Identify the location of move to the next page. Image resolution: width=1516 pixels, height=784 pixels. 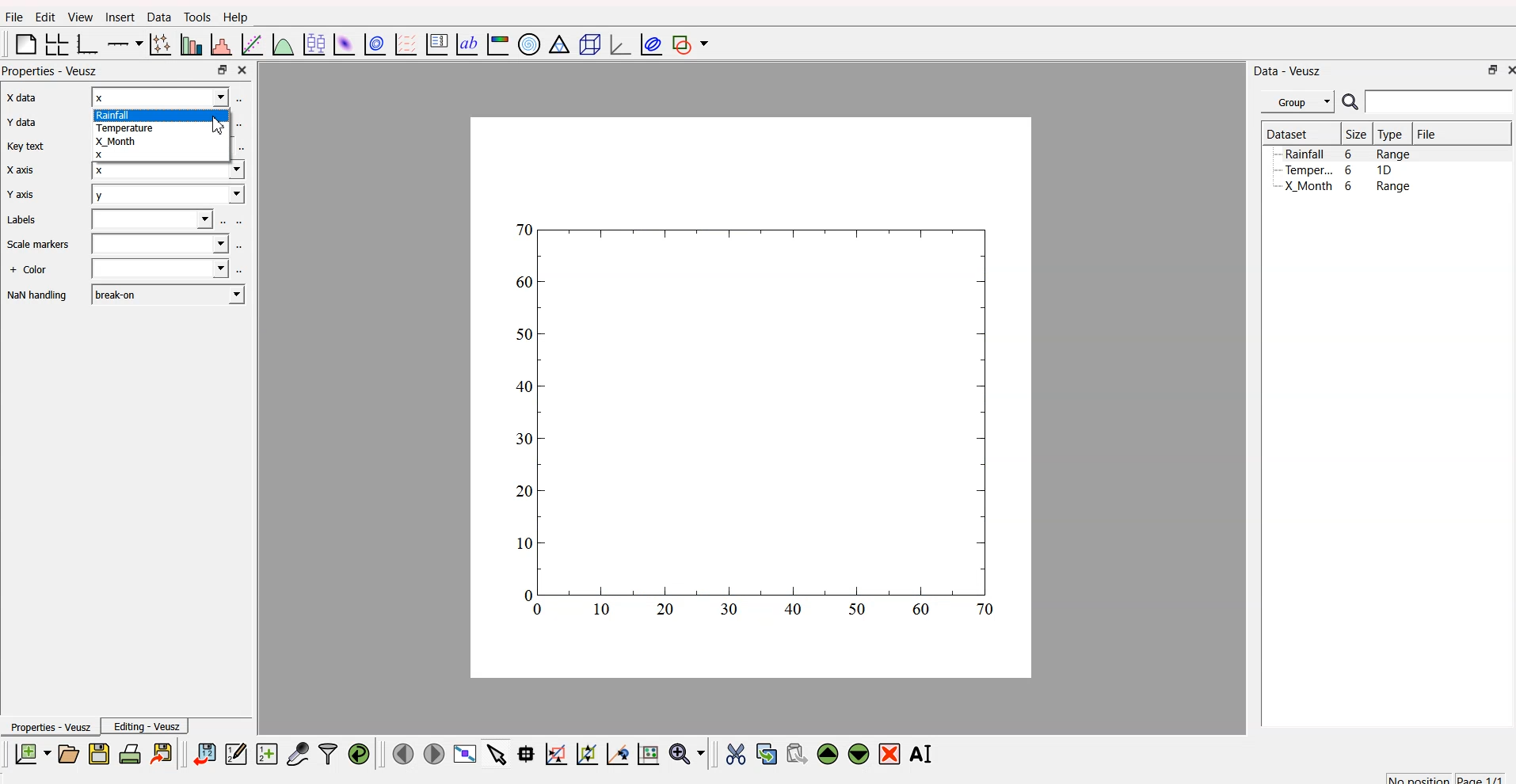
(436, 754).